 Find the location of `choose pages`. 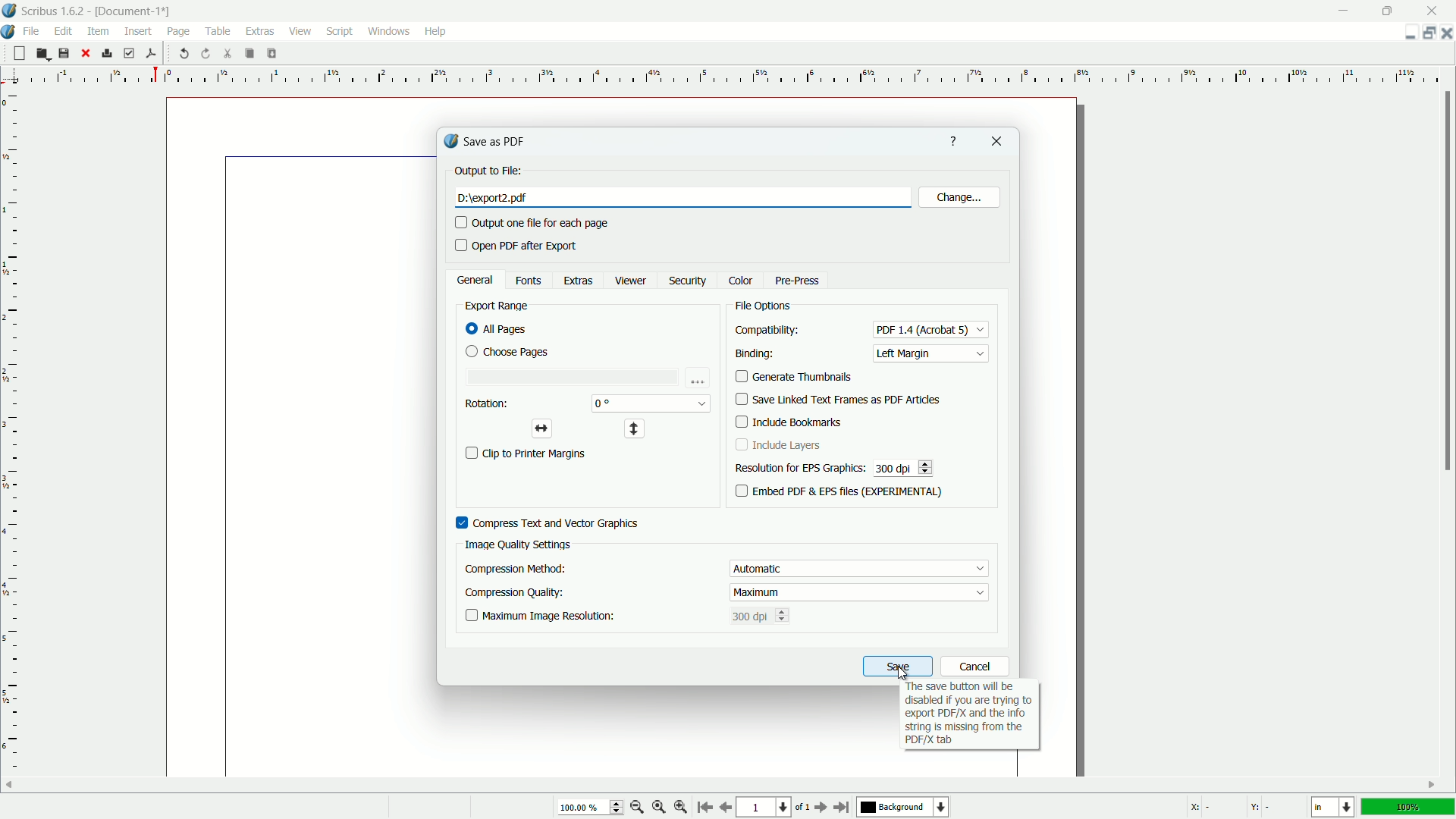

choose pages is located at coordinates (509, 352).